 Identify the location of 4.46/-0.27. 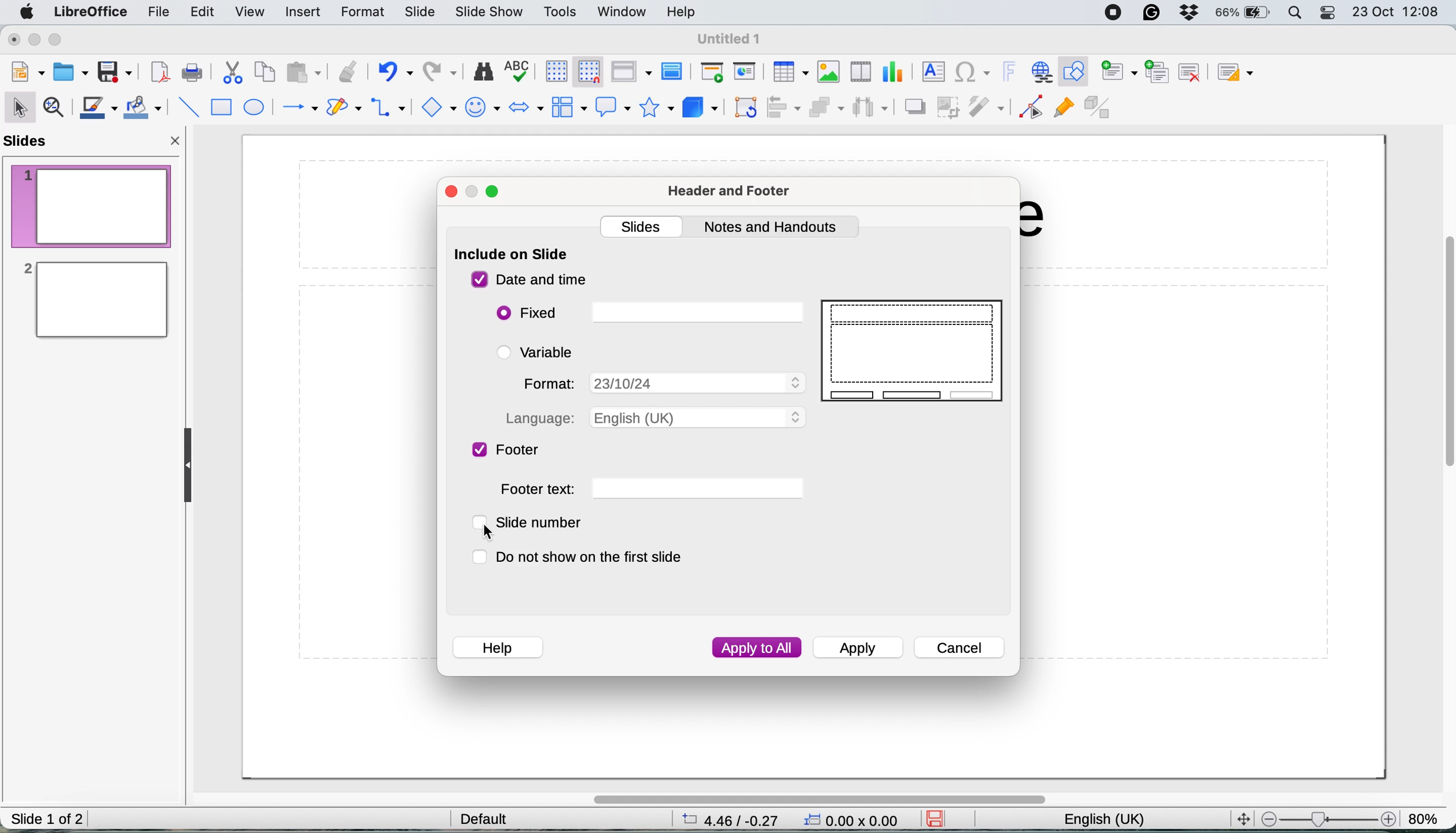
(737, 819).